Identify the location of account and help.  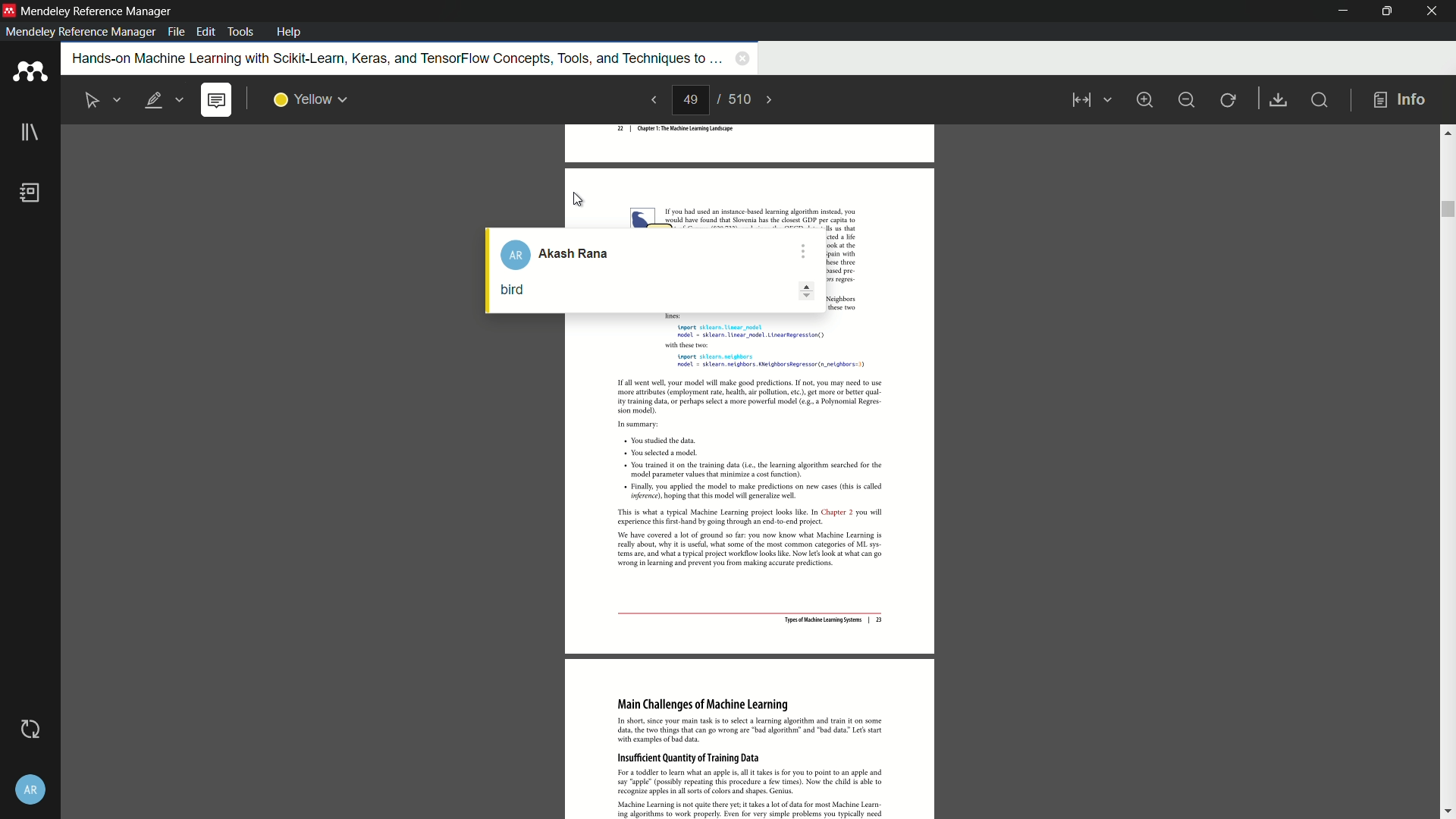
(29, 789).